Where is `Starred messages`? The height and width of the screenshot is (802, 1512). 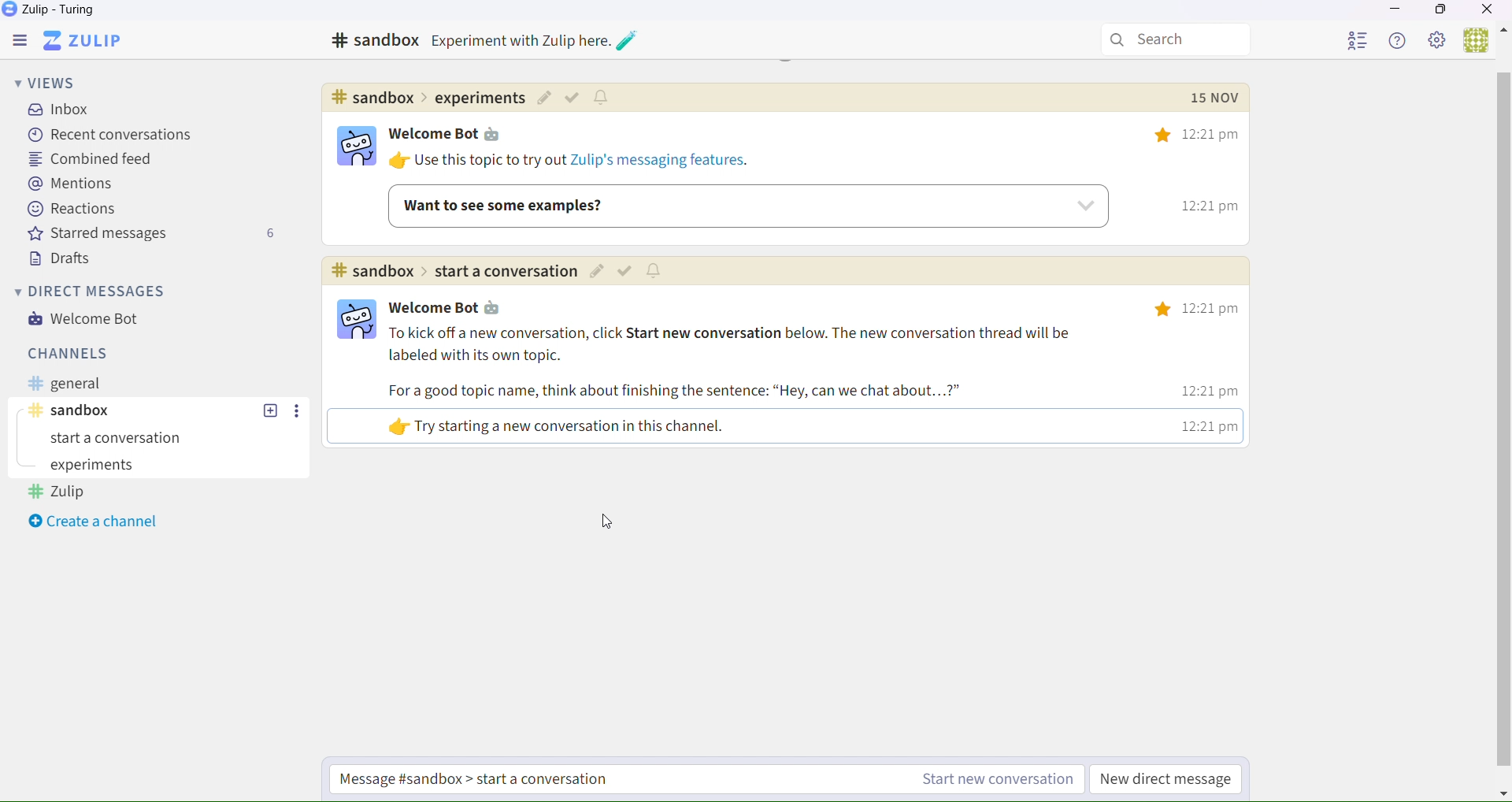 Starred messages is located at coordinates (152, 236).